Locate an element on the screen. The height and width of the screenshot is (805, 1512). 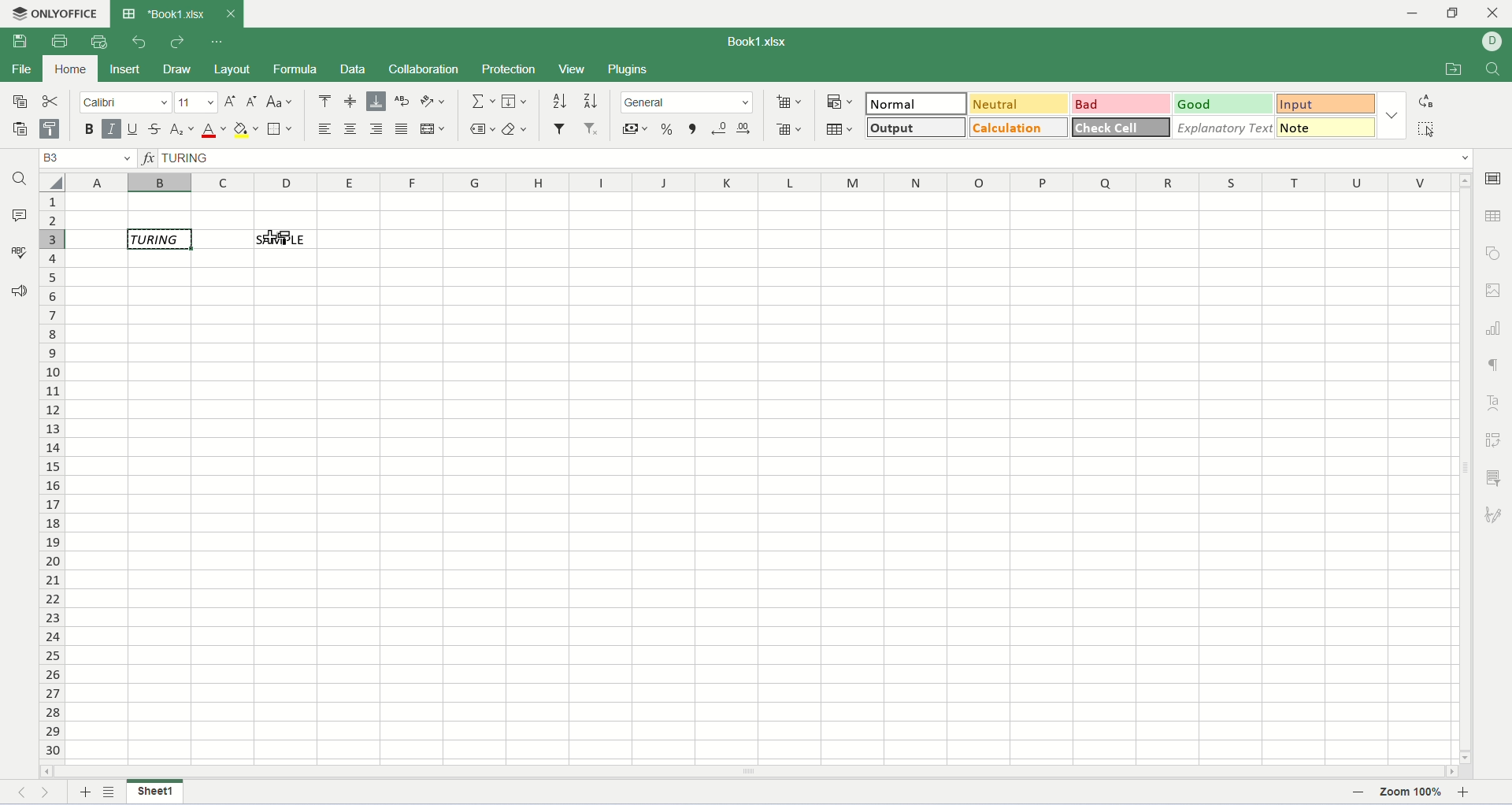
zoom out is located at coordinates (1361, 796).